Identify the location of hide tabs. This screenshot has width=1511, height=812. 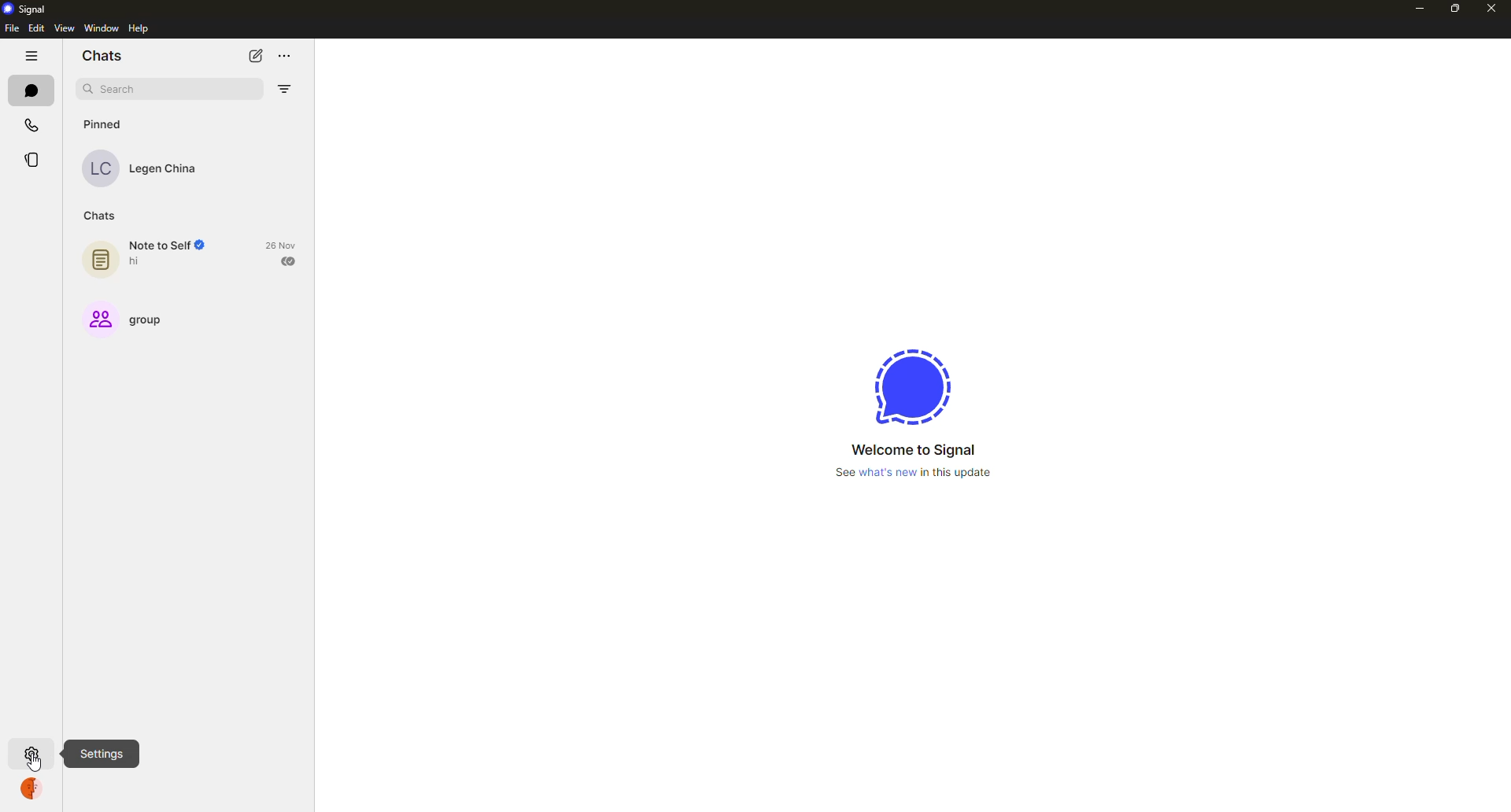
(31, 56).